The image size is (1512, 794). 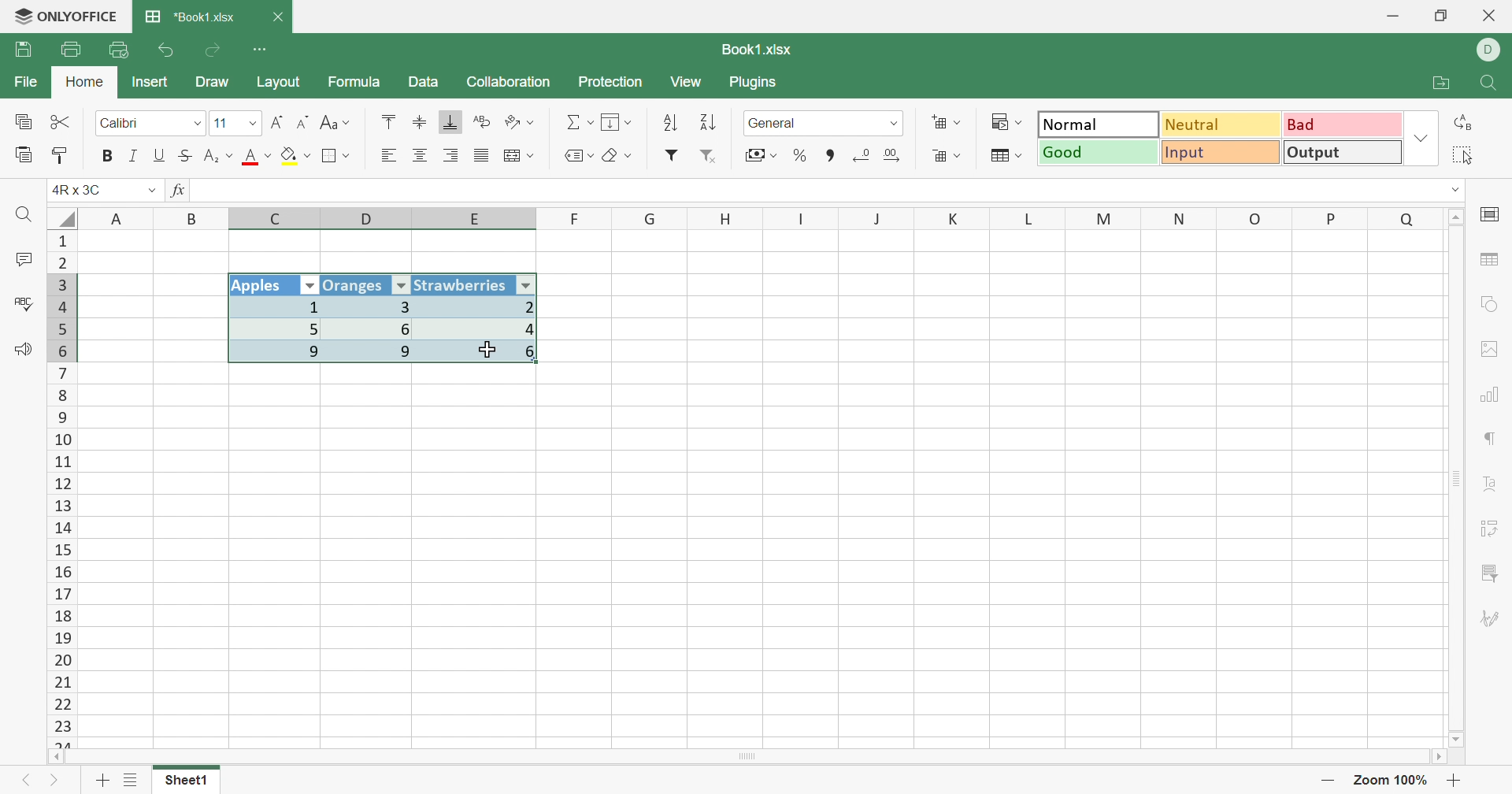 I want to click on N, so click(x=1177, y=218).